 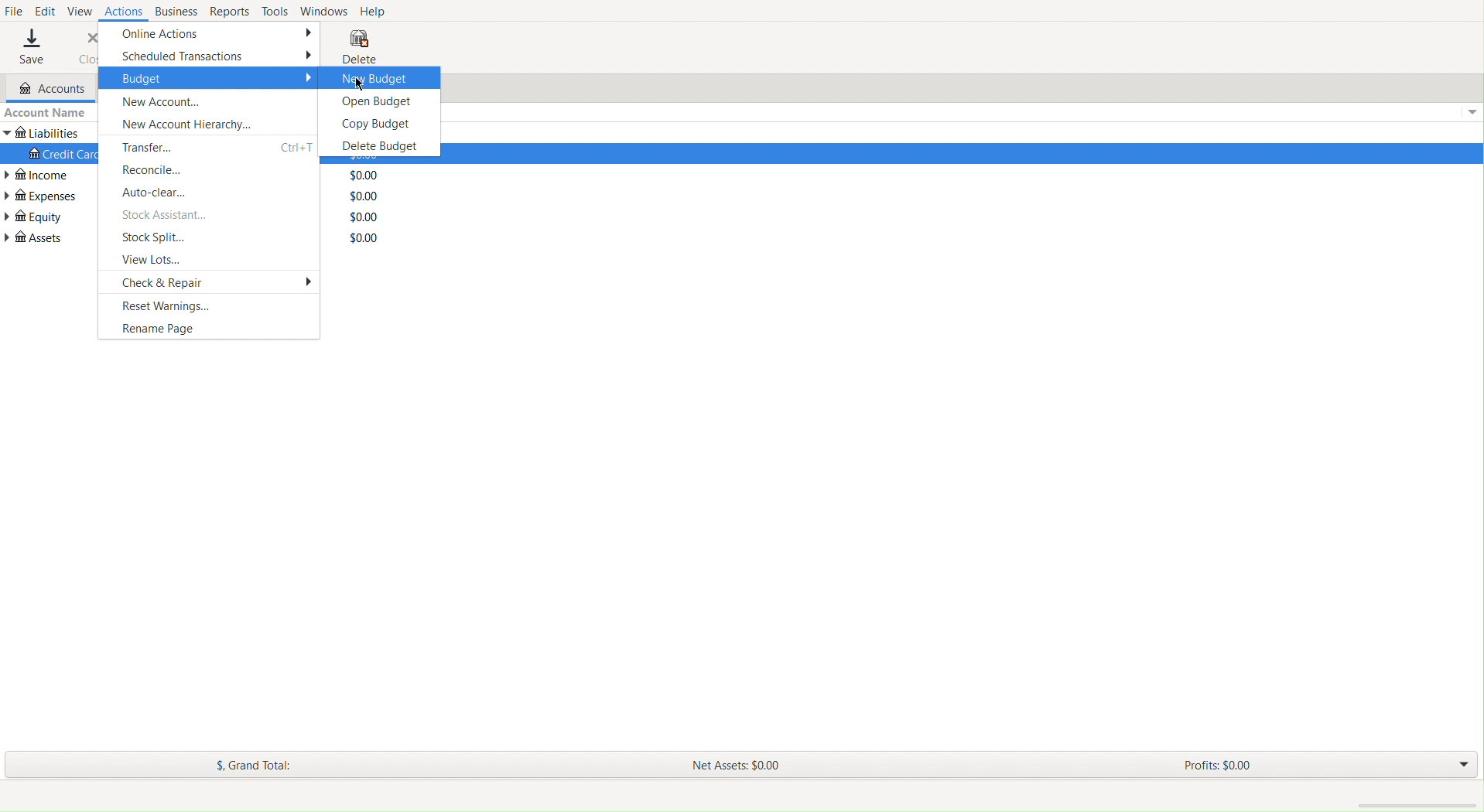 I want to click on New Account Heirarchy, so click(x=181, y=122).